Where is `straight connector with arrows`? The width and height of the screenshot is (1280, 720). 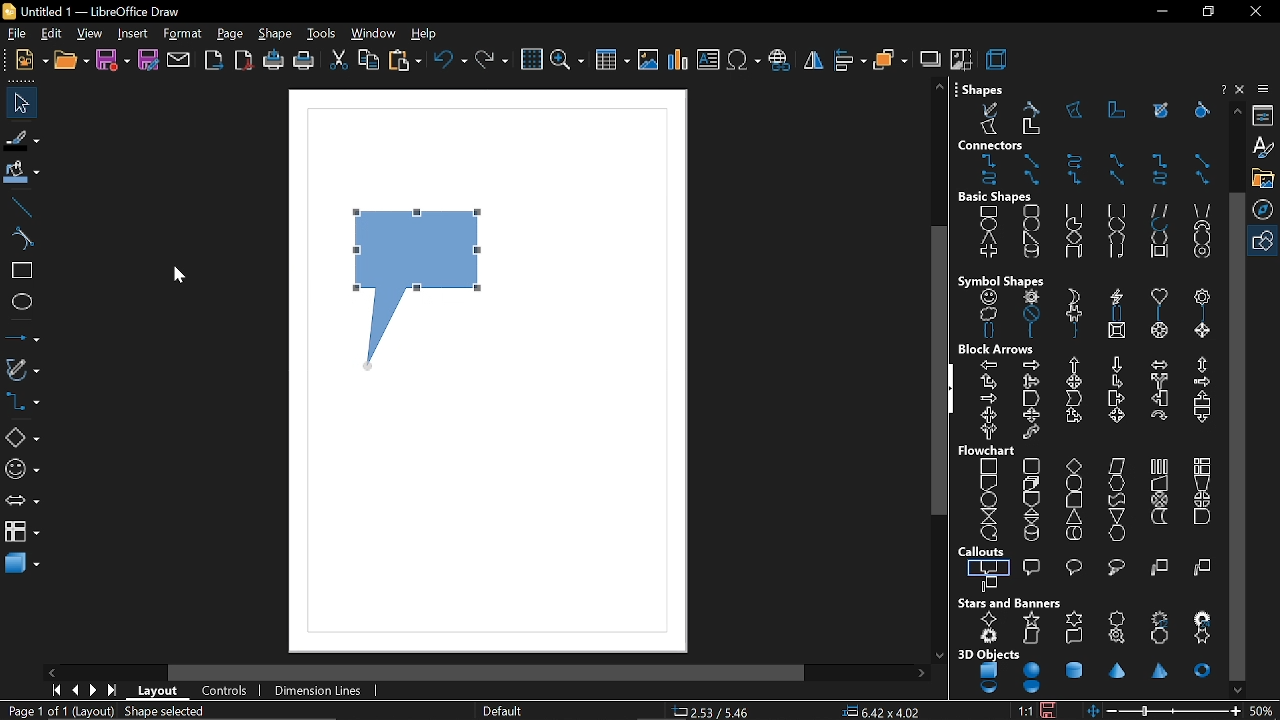 straight connector with arrows is located at coordinates (1119, 180).